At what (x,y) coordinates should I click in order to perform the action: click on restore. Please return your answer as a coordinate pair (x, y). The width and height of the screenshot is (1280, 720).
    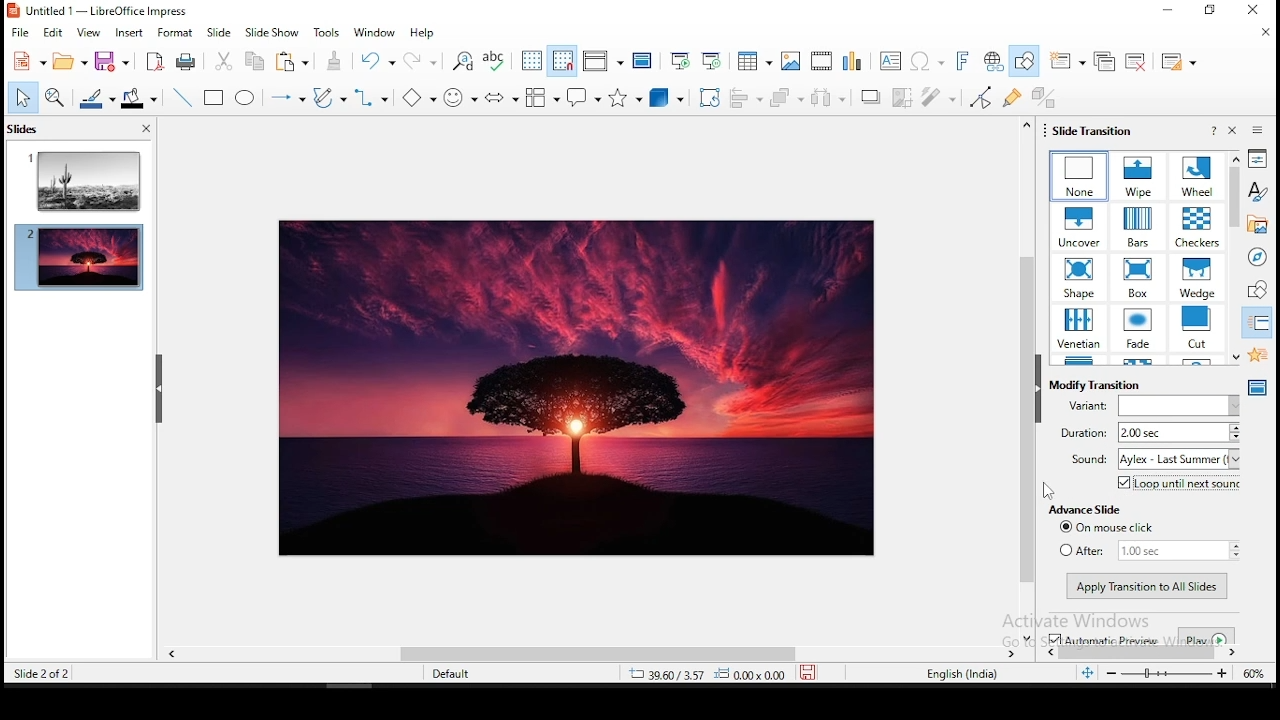
    Looking at the image, I should click on (1207, 11).